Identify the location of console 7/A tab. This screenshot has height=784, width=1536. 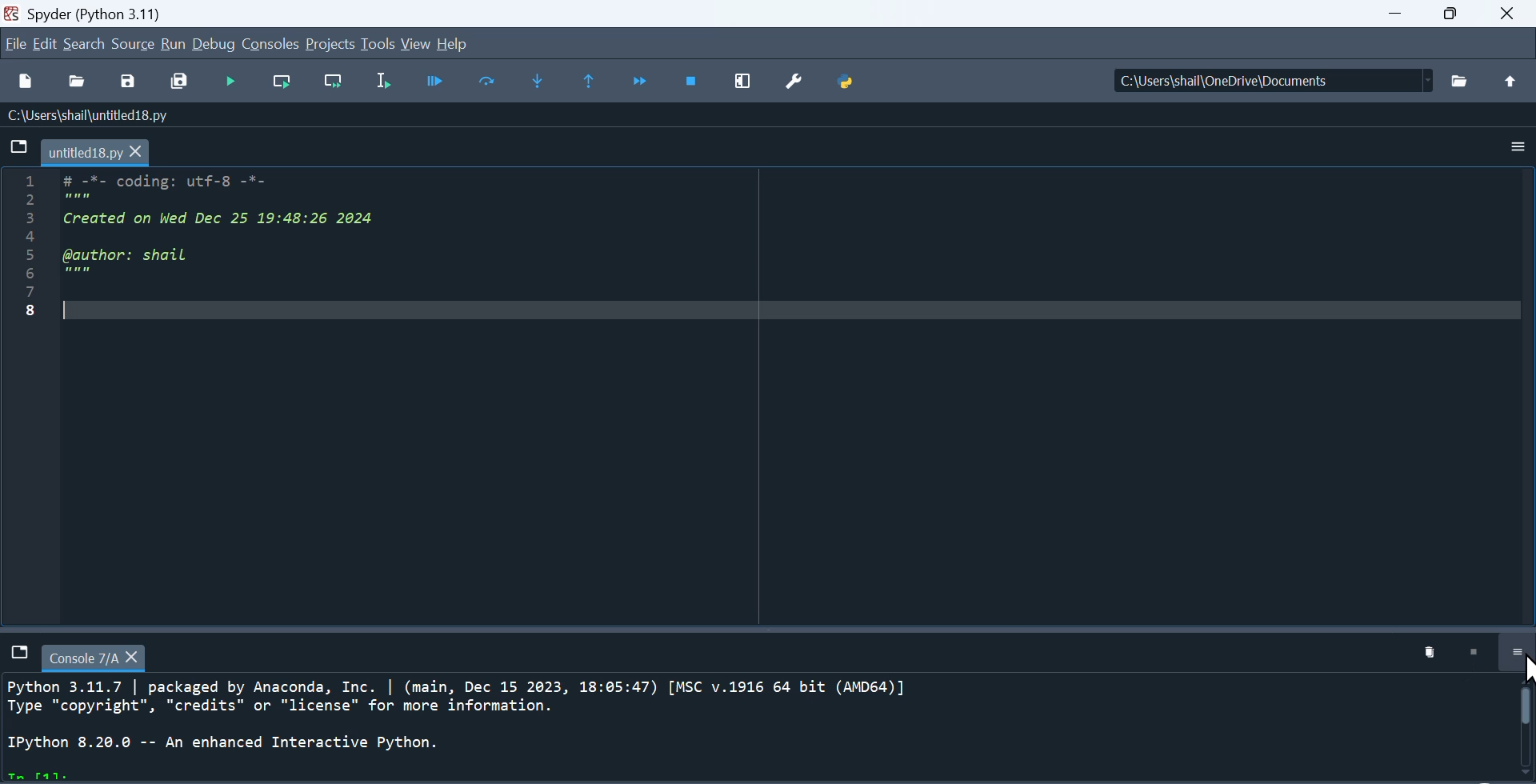
(96, 656).